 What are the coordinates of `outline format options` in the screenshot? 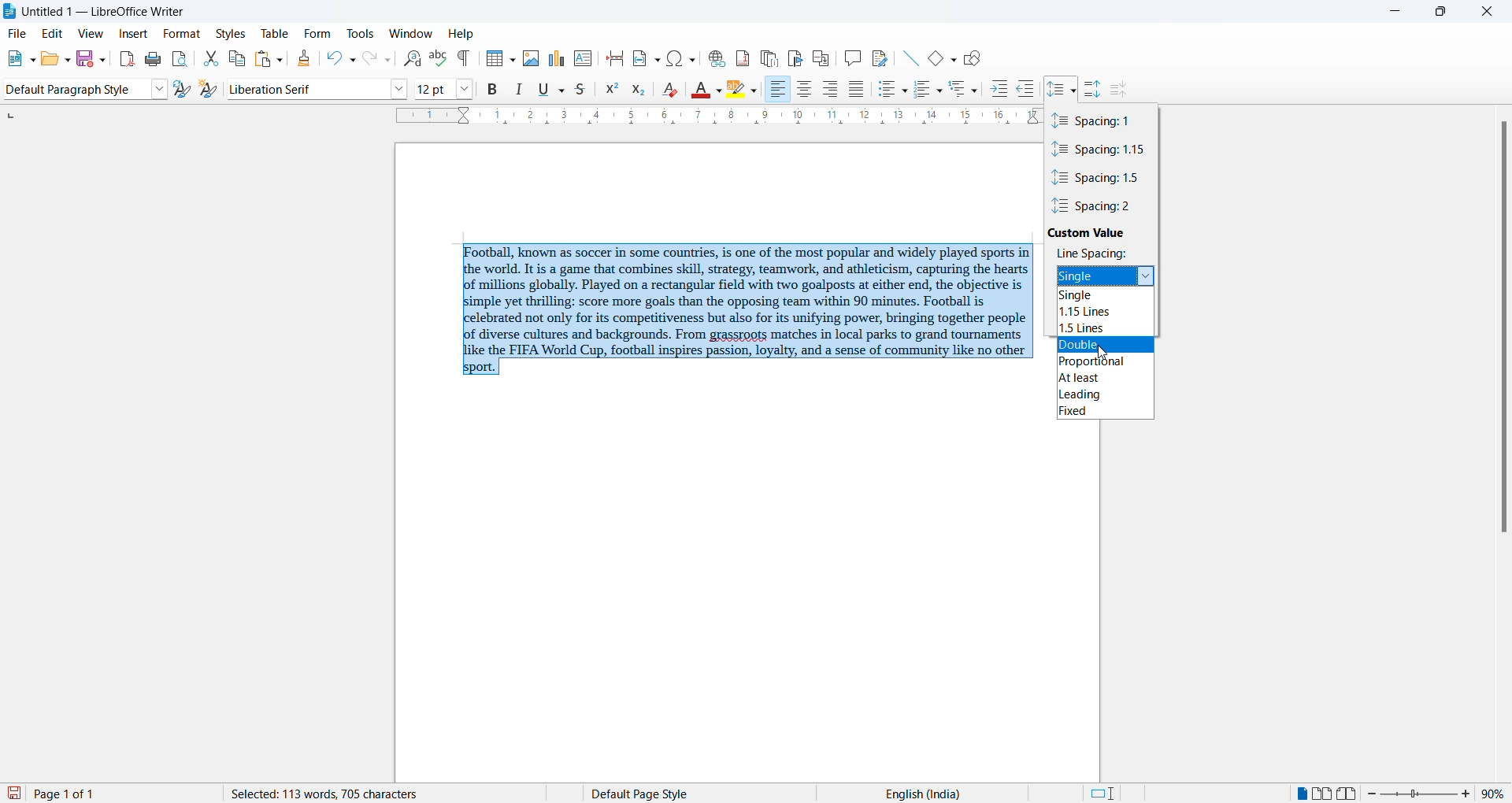 It's located at (976, 91).